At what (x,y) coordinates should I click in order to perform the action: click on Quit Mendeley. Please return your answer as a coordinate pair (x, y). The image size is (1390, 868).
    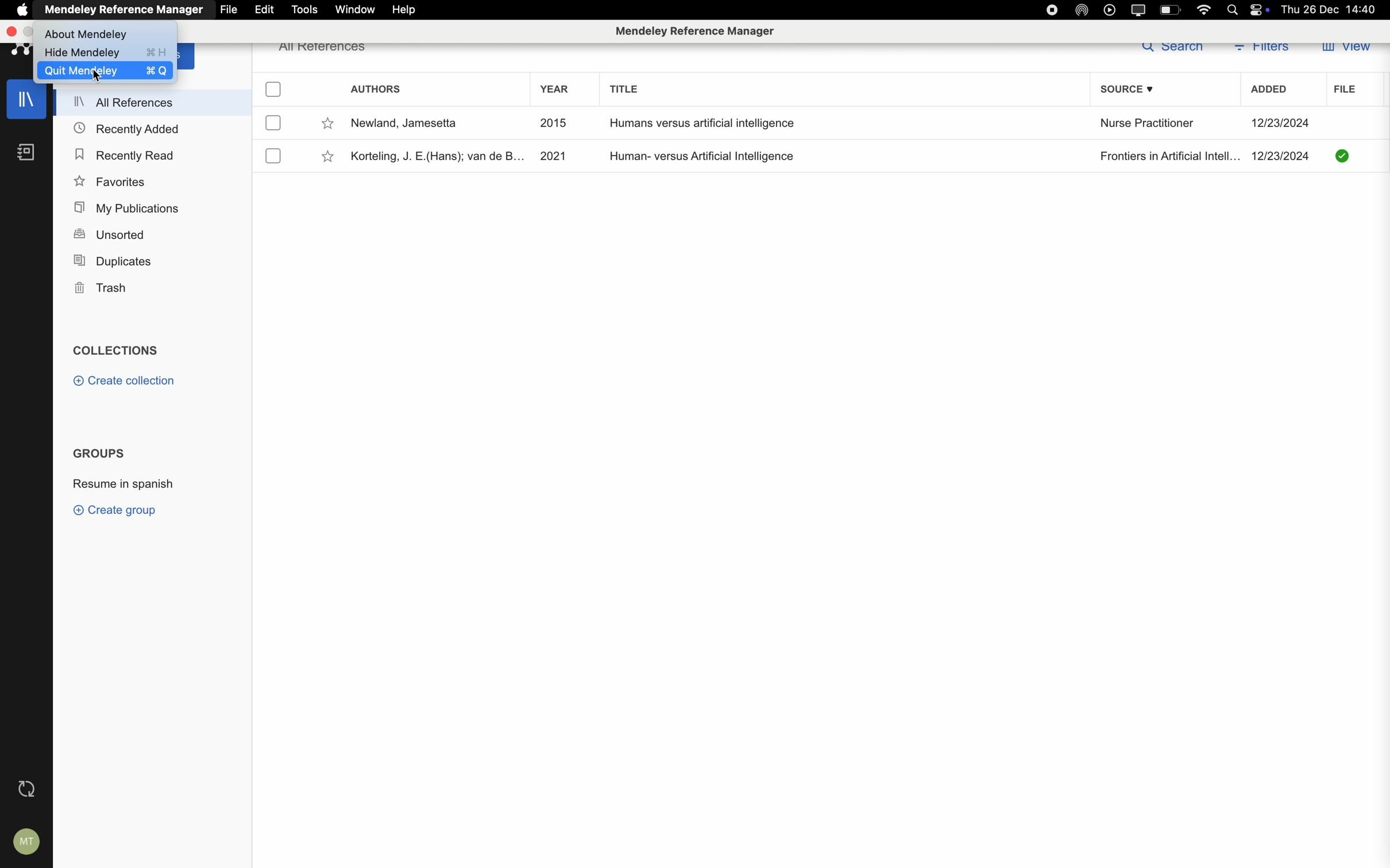
    Looking at the image, I should click on (103, 70).